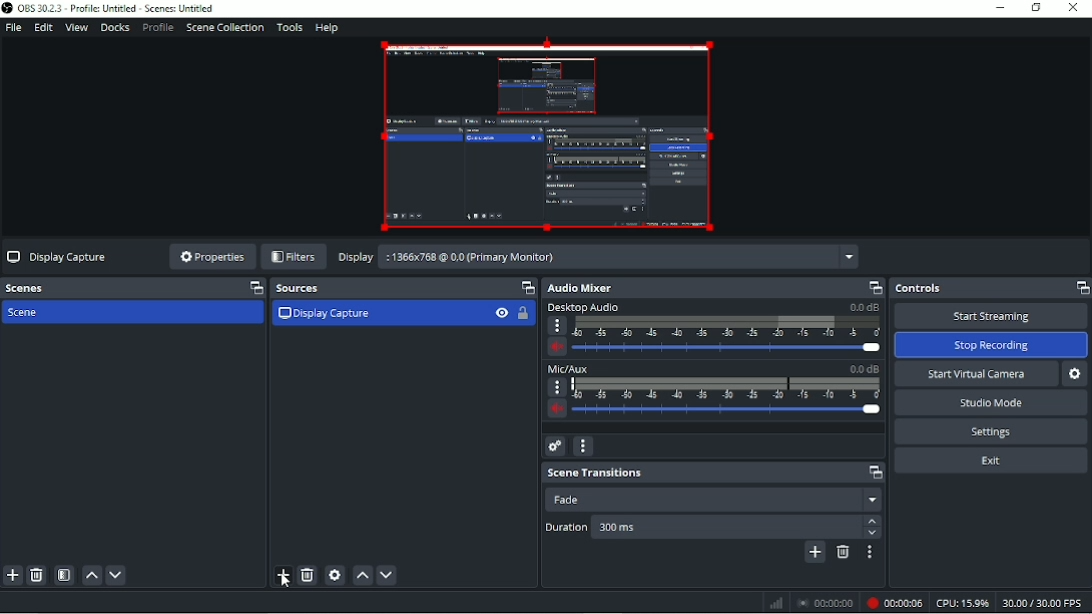 The height and width of the screenshot is (614, 1092). Describe the element at coordinates (325, 313) in the screenshot. I see `Display Capture` at that location.